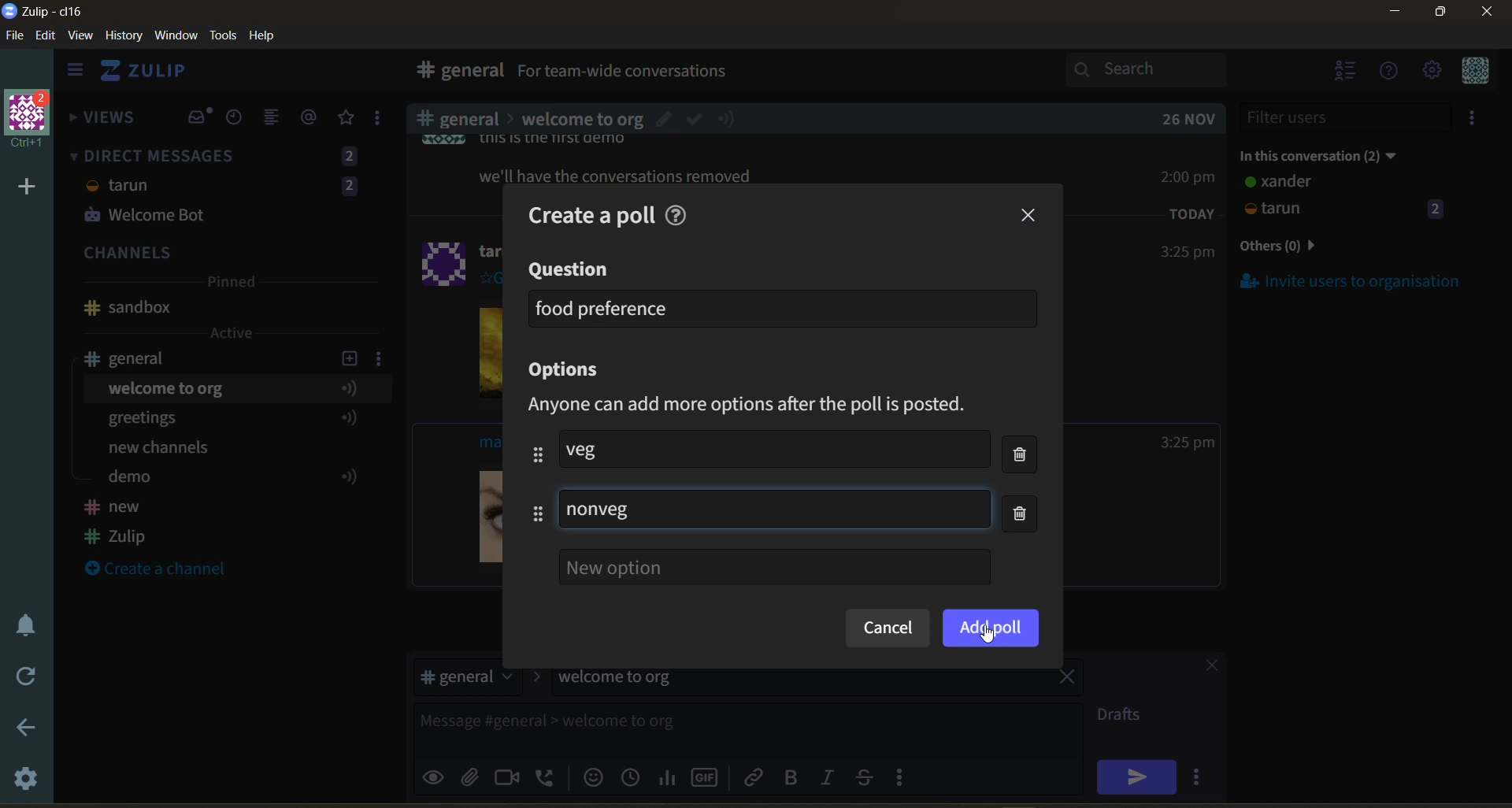  Describe the element at coordinates (1136, 776) in the screenshot. I see `send` at that location.